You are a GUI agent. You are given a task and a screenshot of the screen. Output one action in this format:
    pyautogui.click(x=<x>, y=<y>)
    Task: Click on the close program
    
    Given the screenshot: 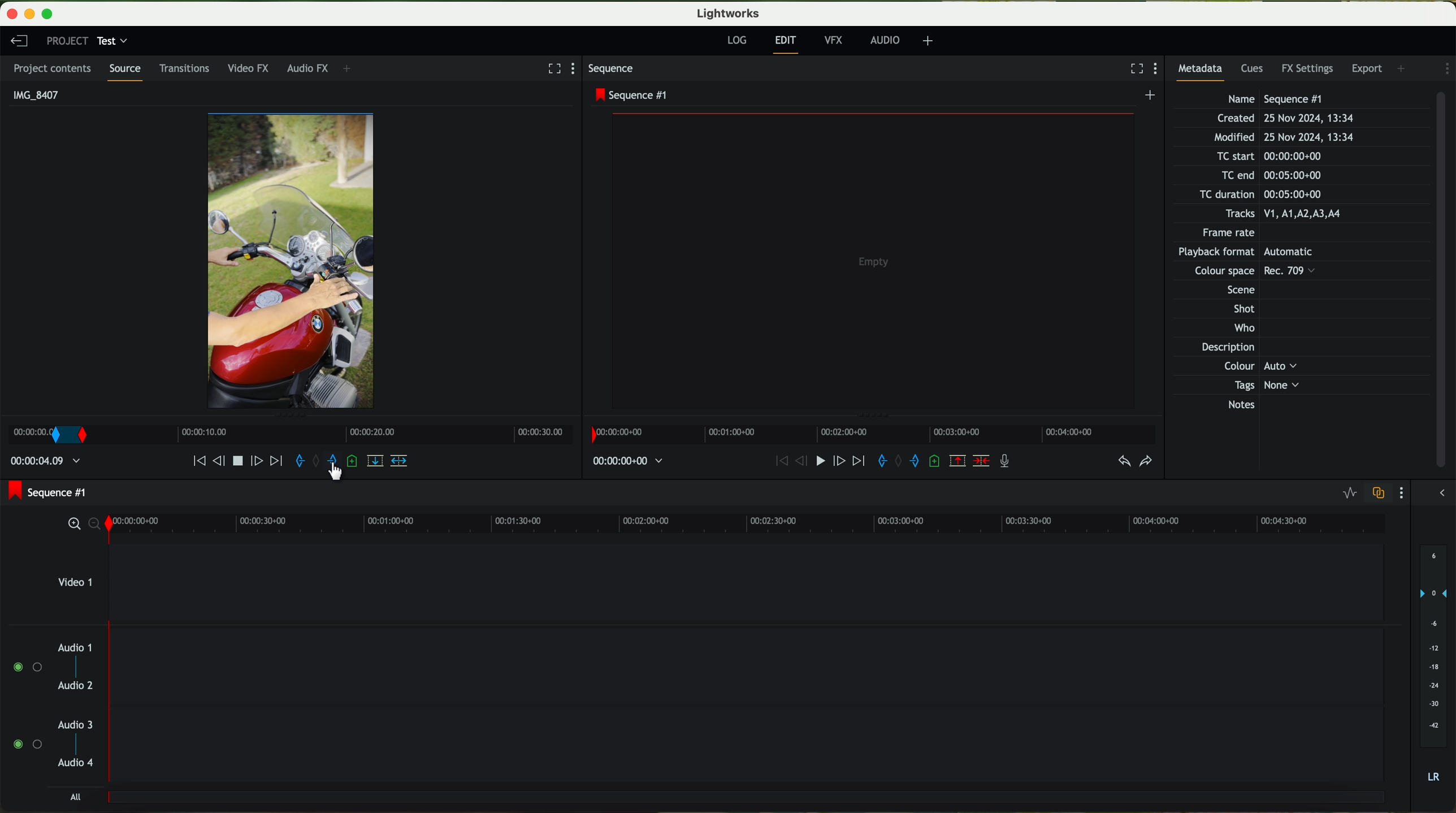 What is the action you would take?
    pyautogui.click(x=10, y=14)
    